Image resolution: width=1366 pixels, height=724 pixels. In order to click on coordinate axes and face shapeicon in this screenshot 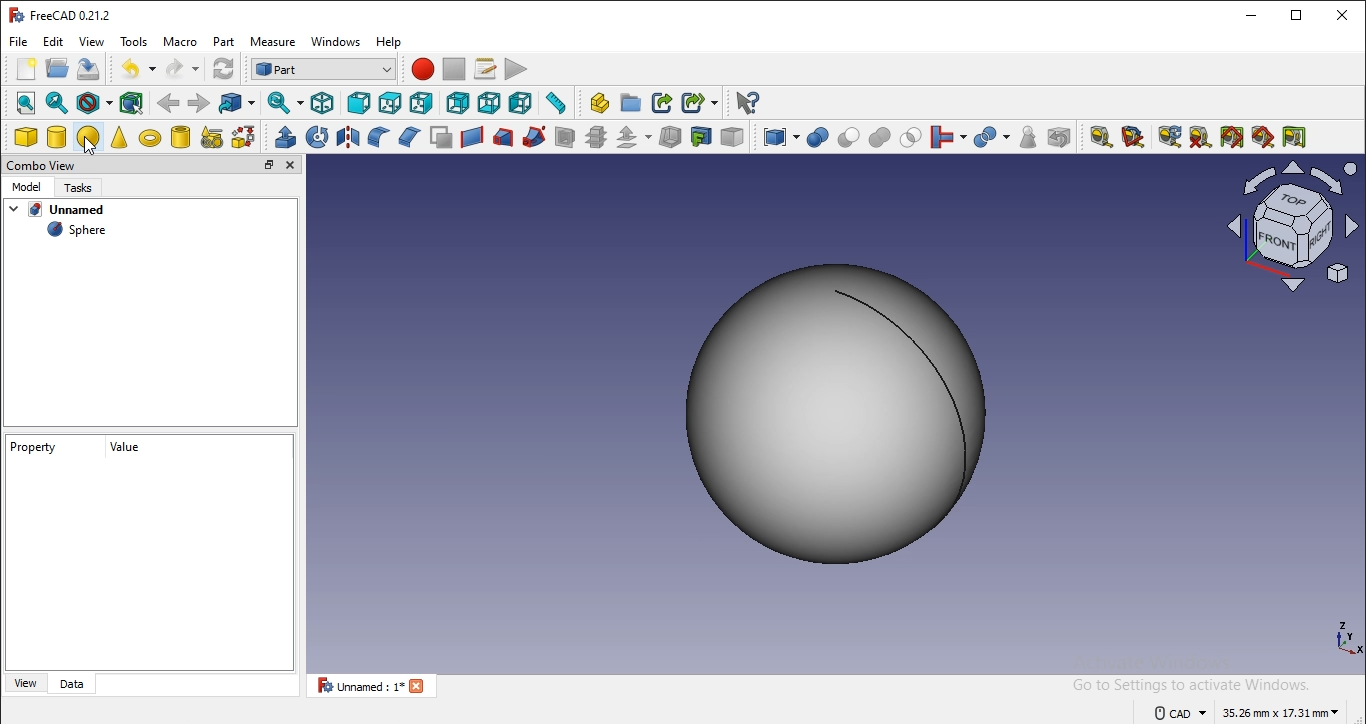, I will do `click(1293, 227)`.